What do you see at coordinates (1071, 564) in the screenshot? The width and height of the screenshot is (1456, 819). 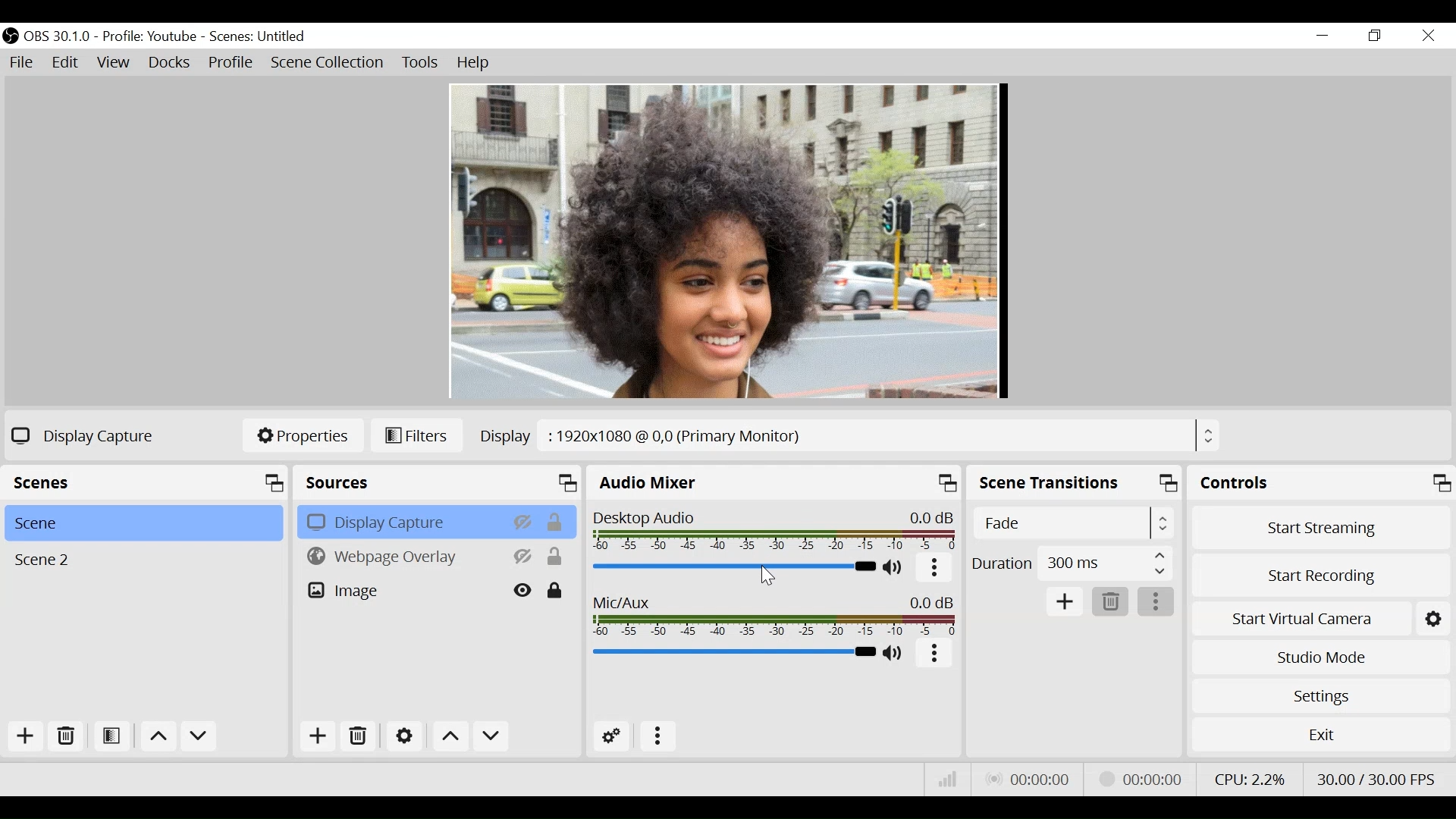 I see `Duration` at bounding box center [1071, 564].